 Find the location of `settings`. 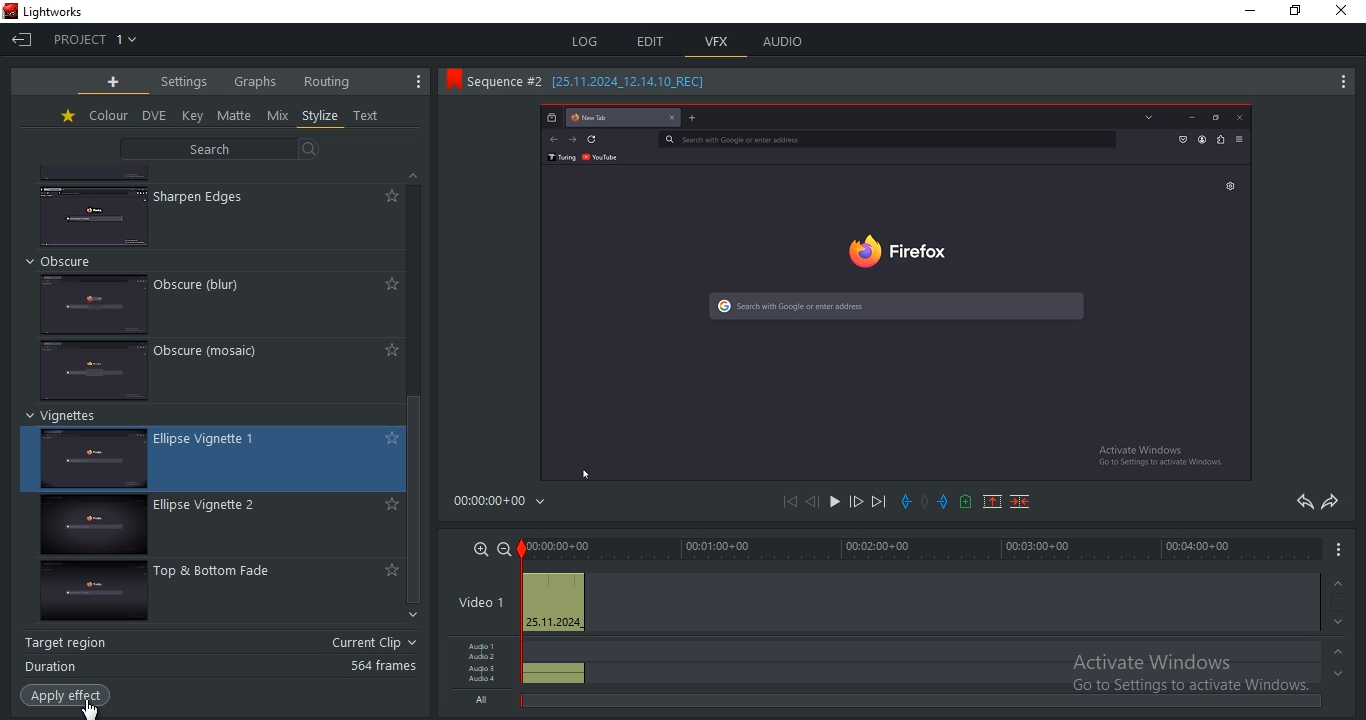

settings is located at coordinates (187, 82).